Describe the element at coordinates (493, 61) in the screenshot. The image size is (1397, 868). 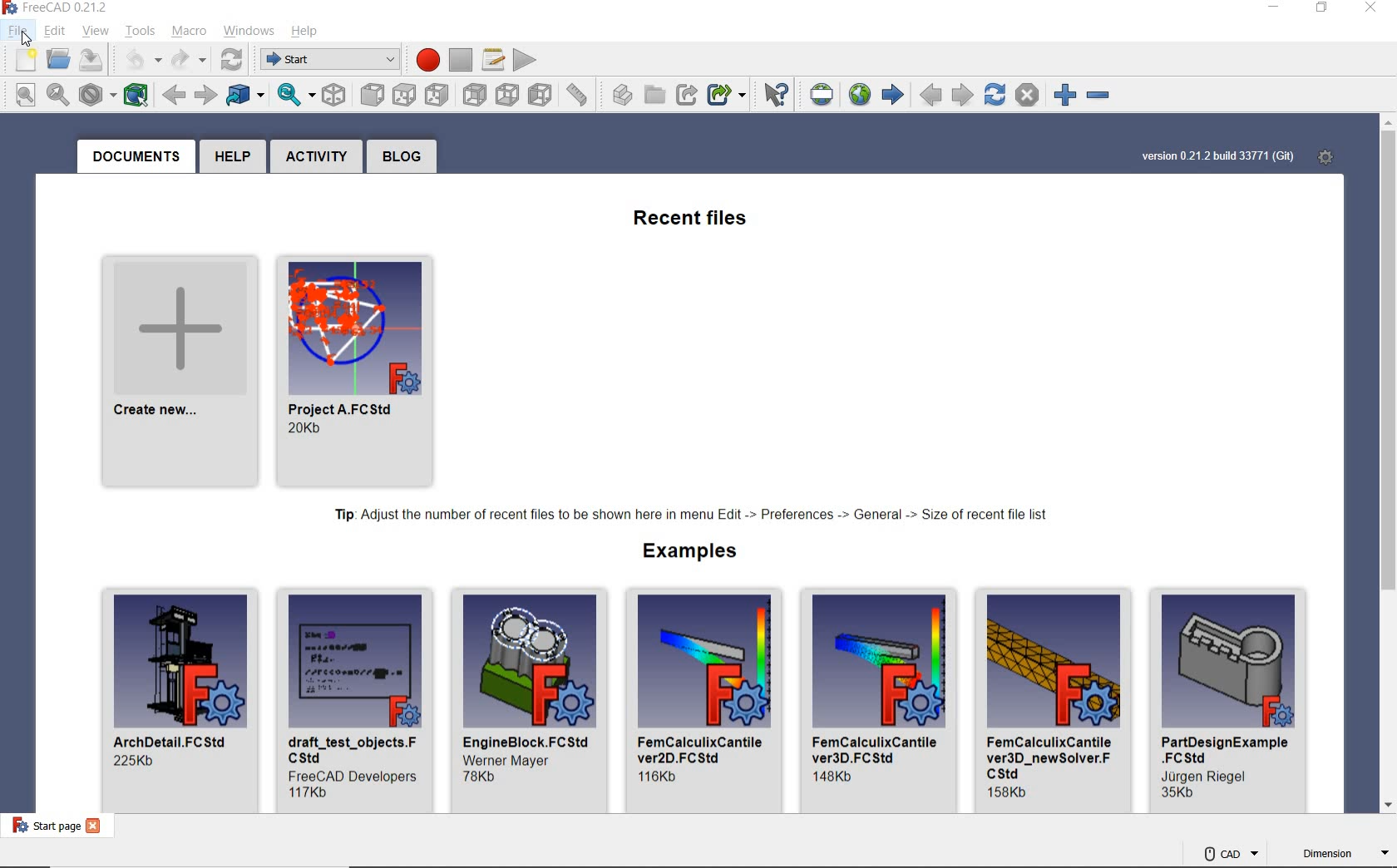
I see `MACROS` at that location.